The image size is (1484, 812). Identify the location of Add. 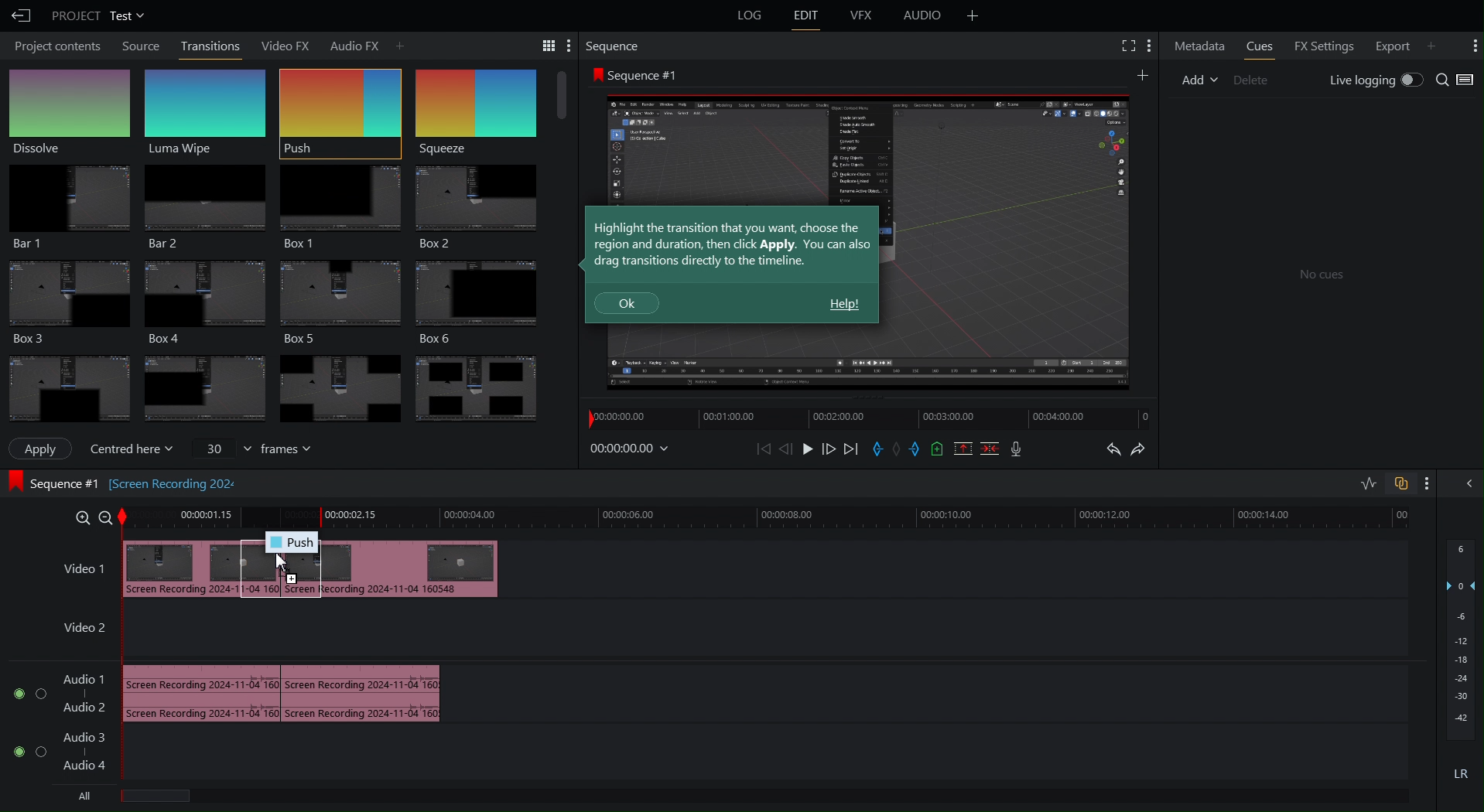
(1432, 46).